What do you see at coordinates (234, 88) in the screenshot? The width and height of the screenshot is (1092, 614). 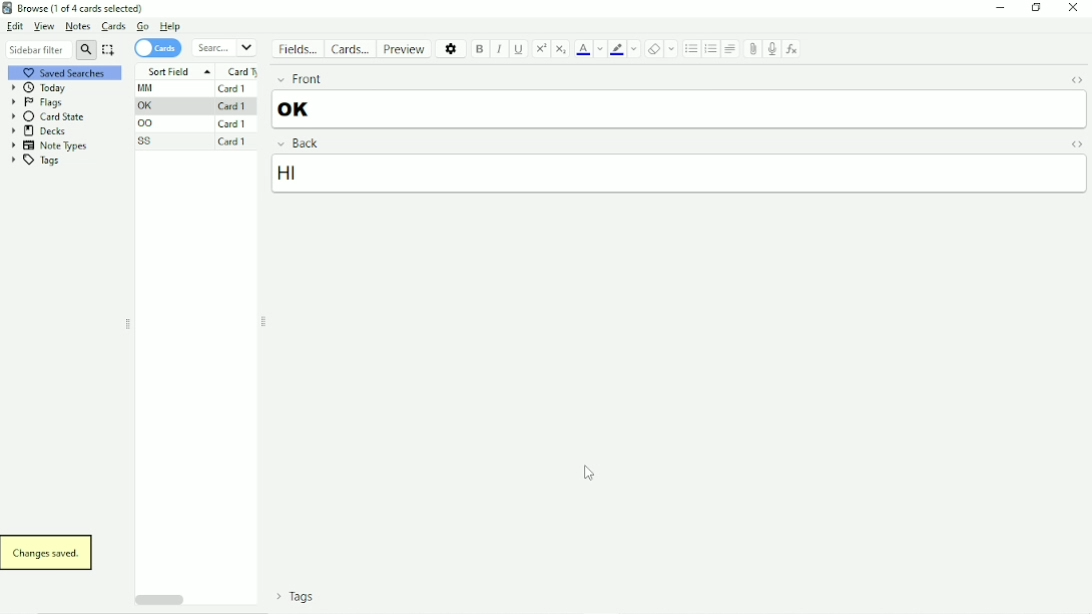 I see `Card 1` at bounding box center [234, 88].